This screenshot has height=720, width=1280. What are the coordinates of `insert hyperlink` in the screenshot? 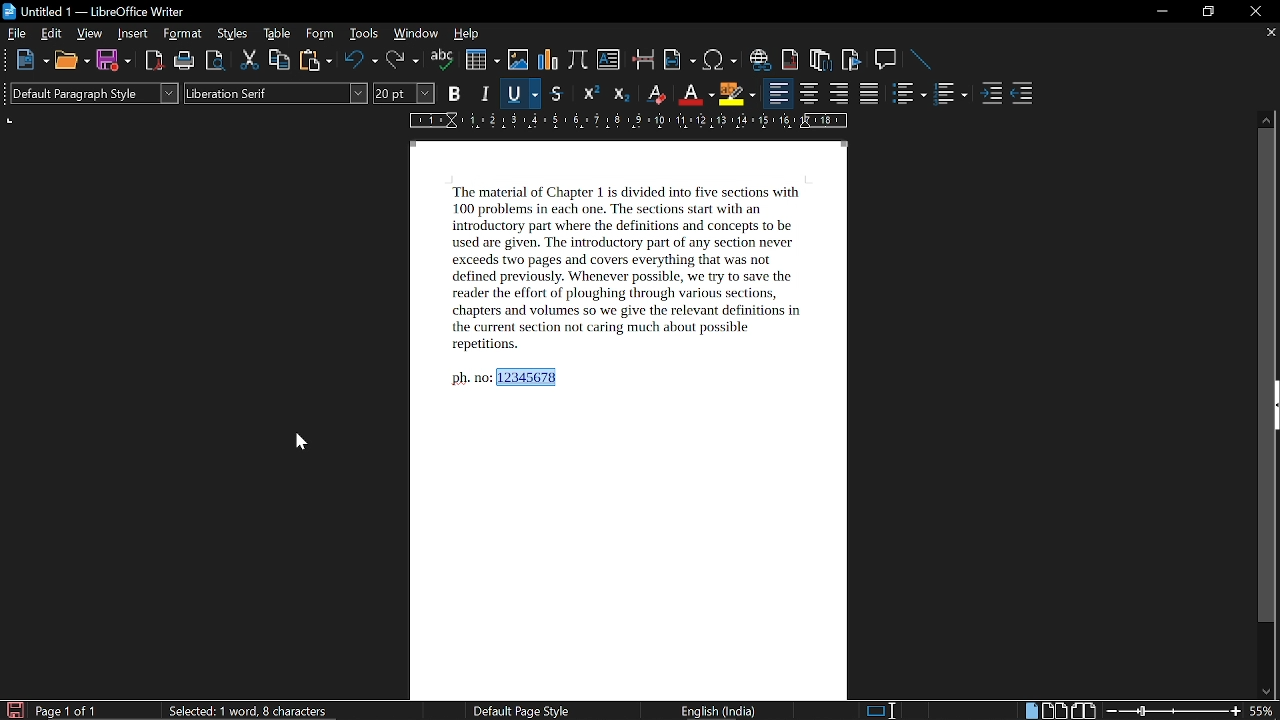 It's located at (758, 59).